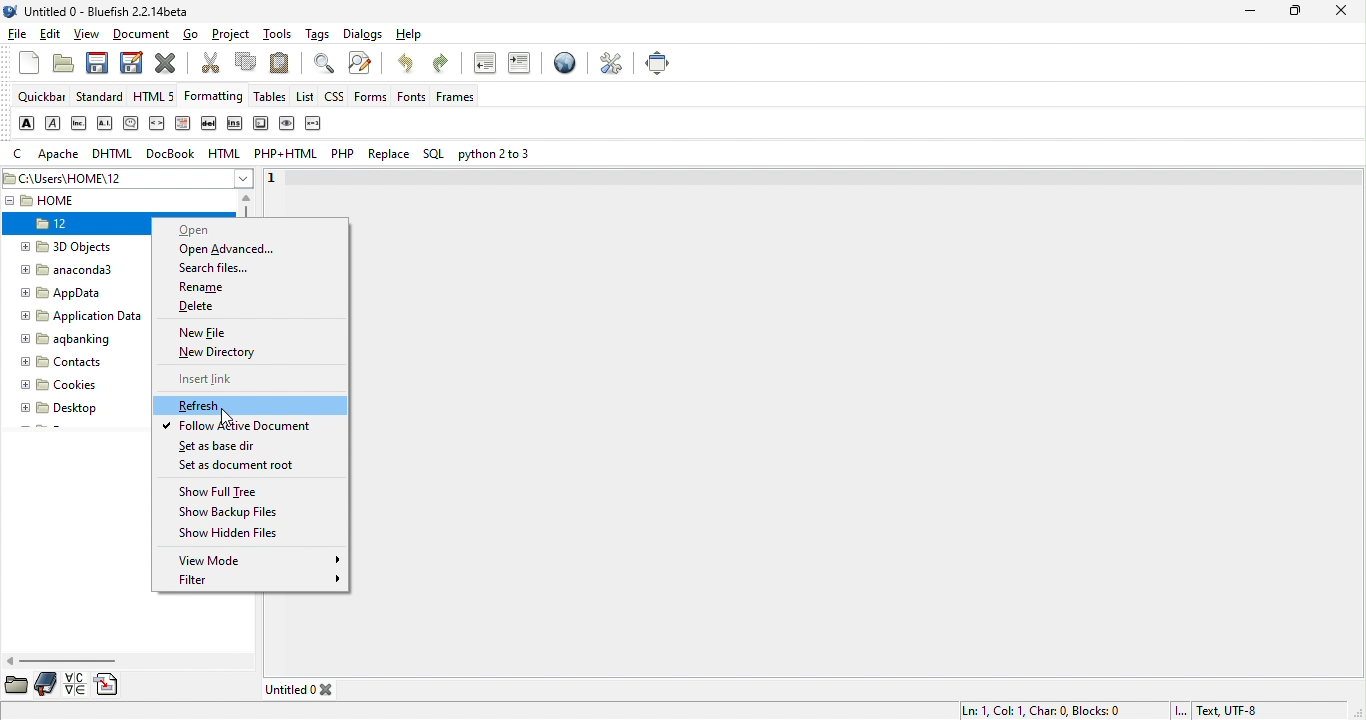 This screenshot has height=720, width=1366. I want to click on 12, so click(67, 226).